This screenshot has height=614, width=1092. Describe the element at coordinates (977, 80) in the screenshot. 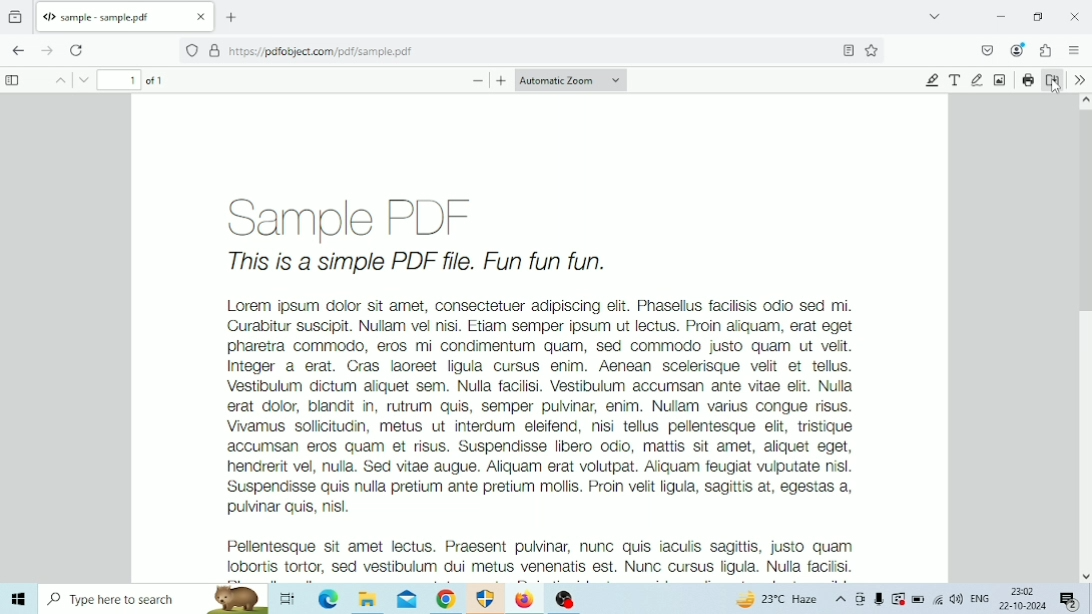

I see `Draw` at that location.